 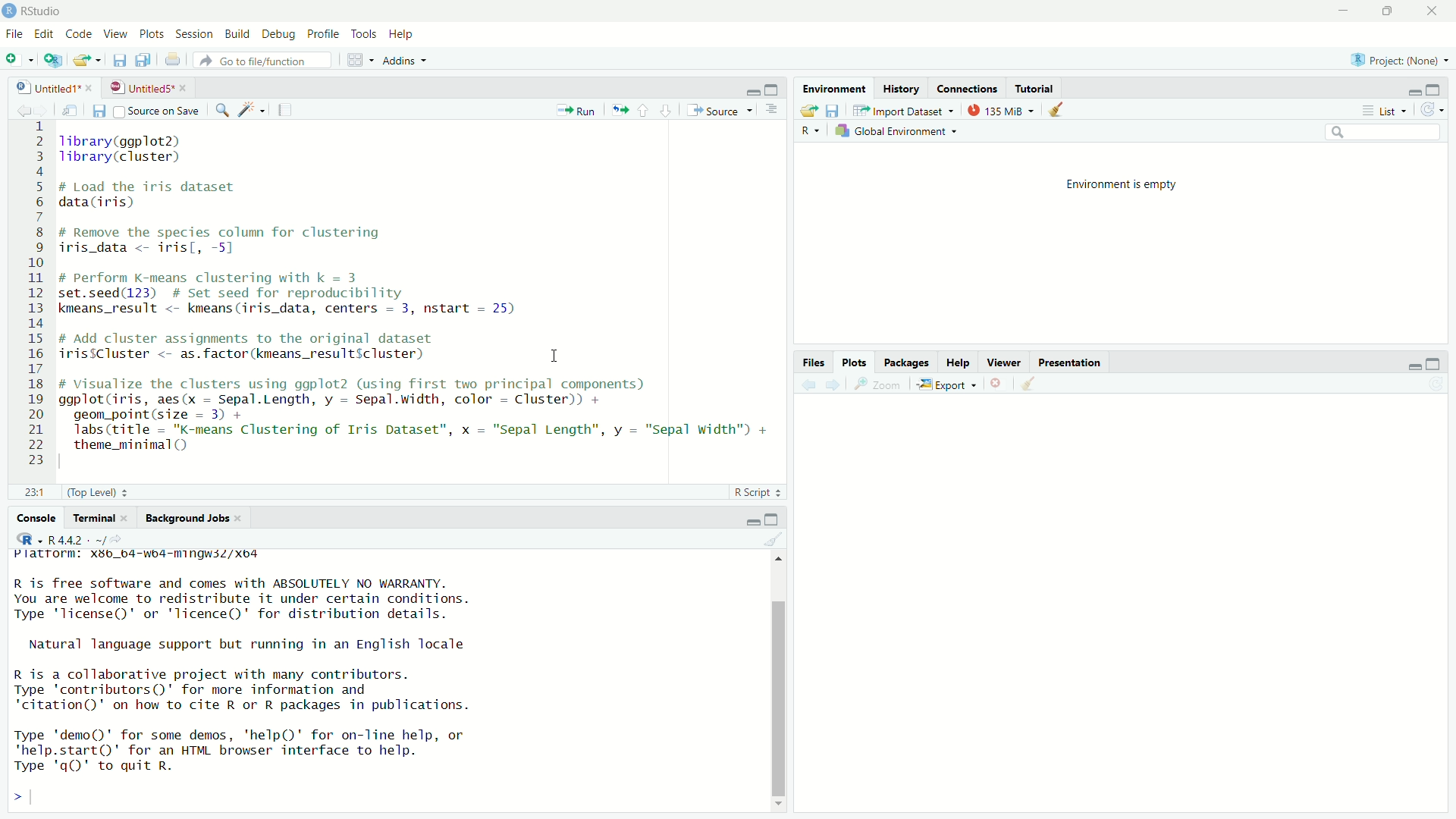 I want to click on create a project, so click(x=53, y=60).